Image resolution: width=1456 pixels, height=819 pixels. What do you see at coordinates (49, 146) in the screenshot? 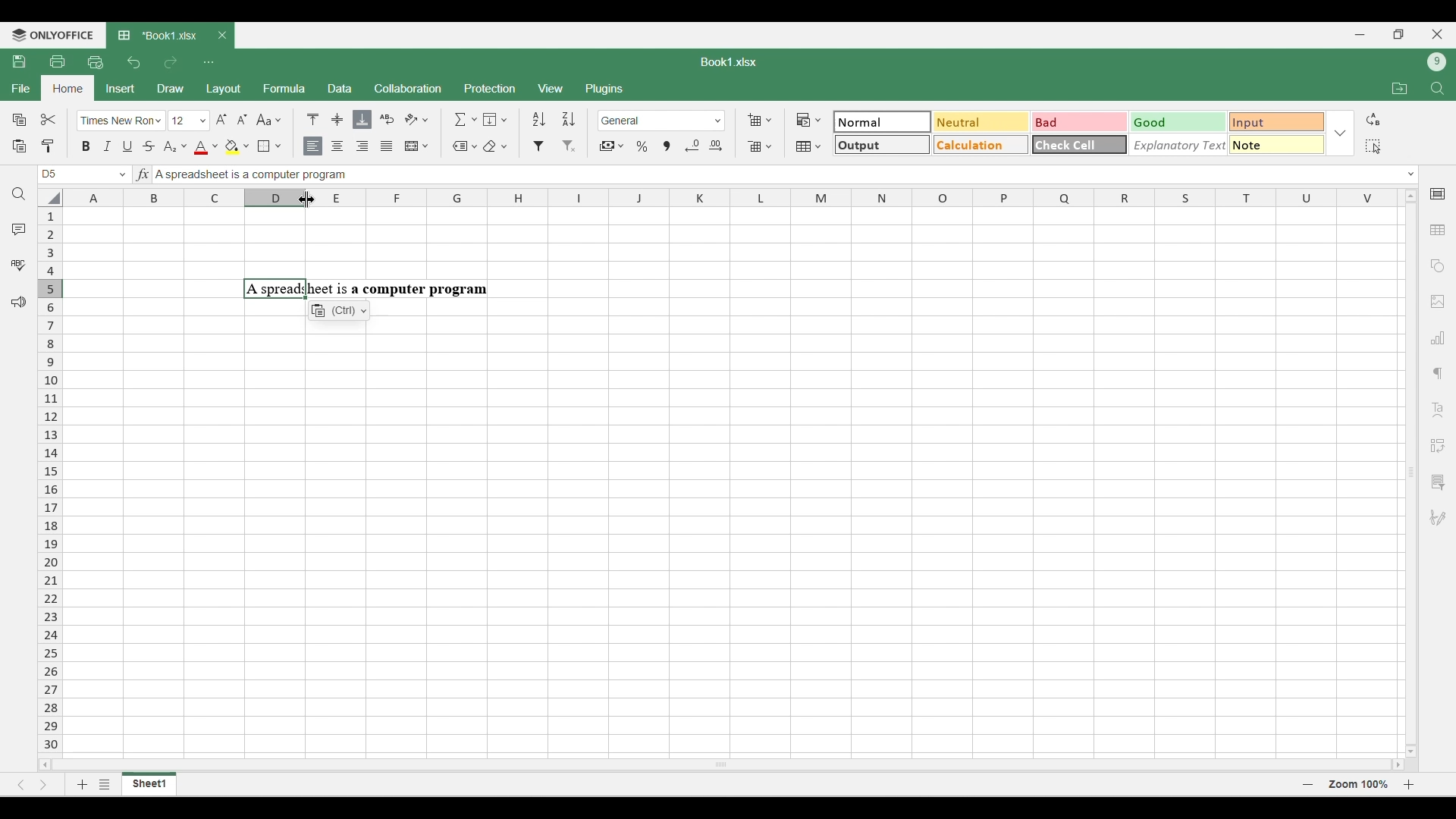
I see `Copy formatting` at bounding box center [49, 146].